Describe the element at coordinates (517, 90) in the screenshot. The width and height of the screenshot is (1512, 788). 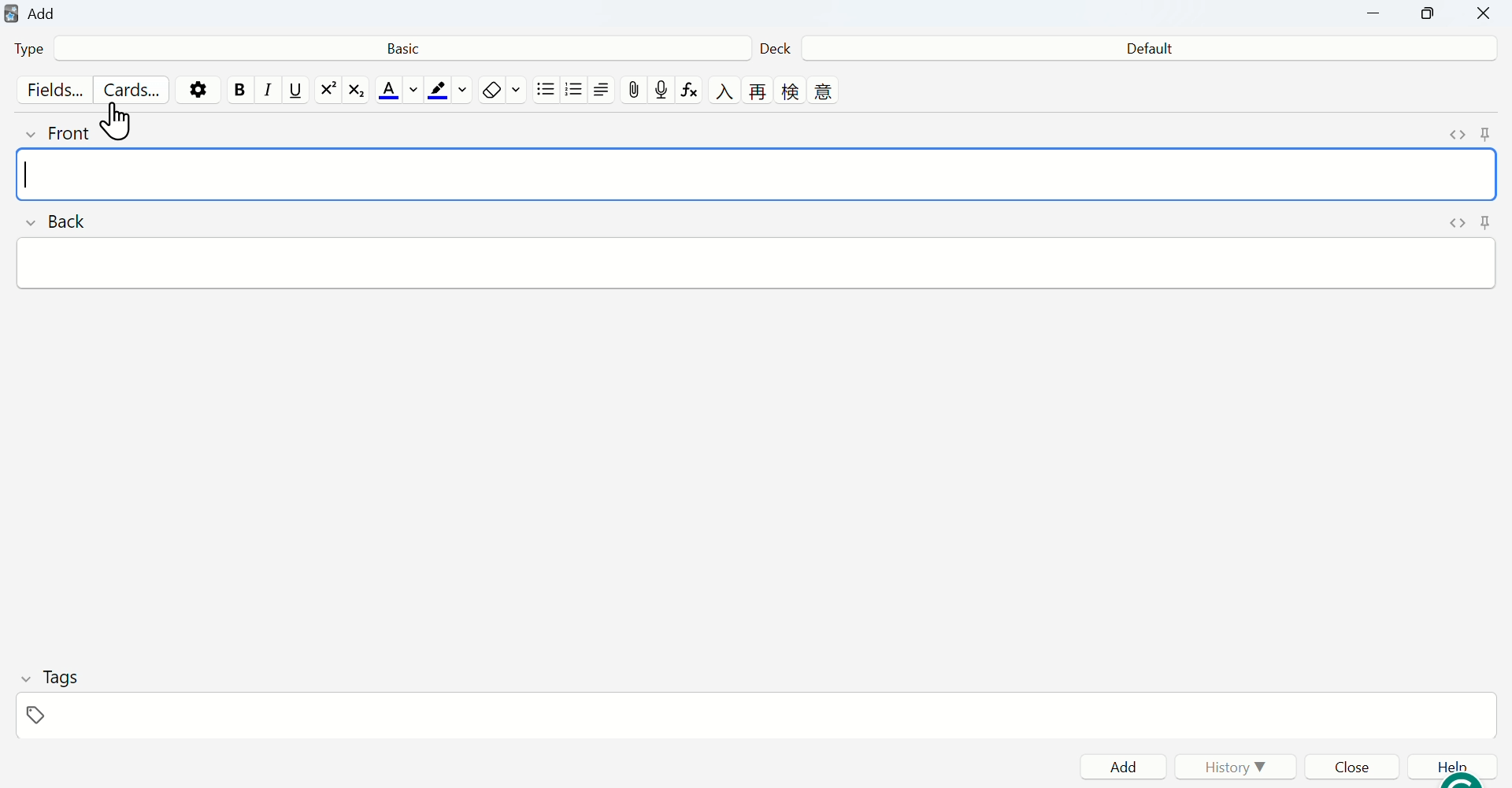
I see `select formatting to remove` at that location.